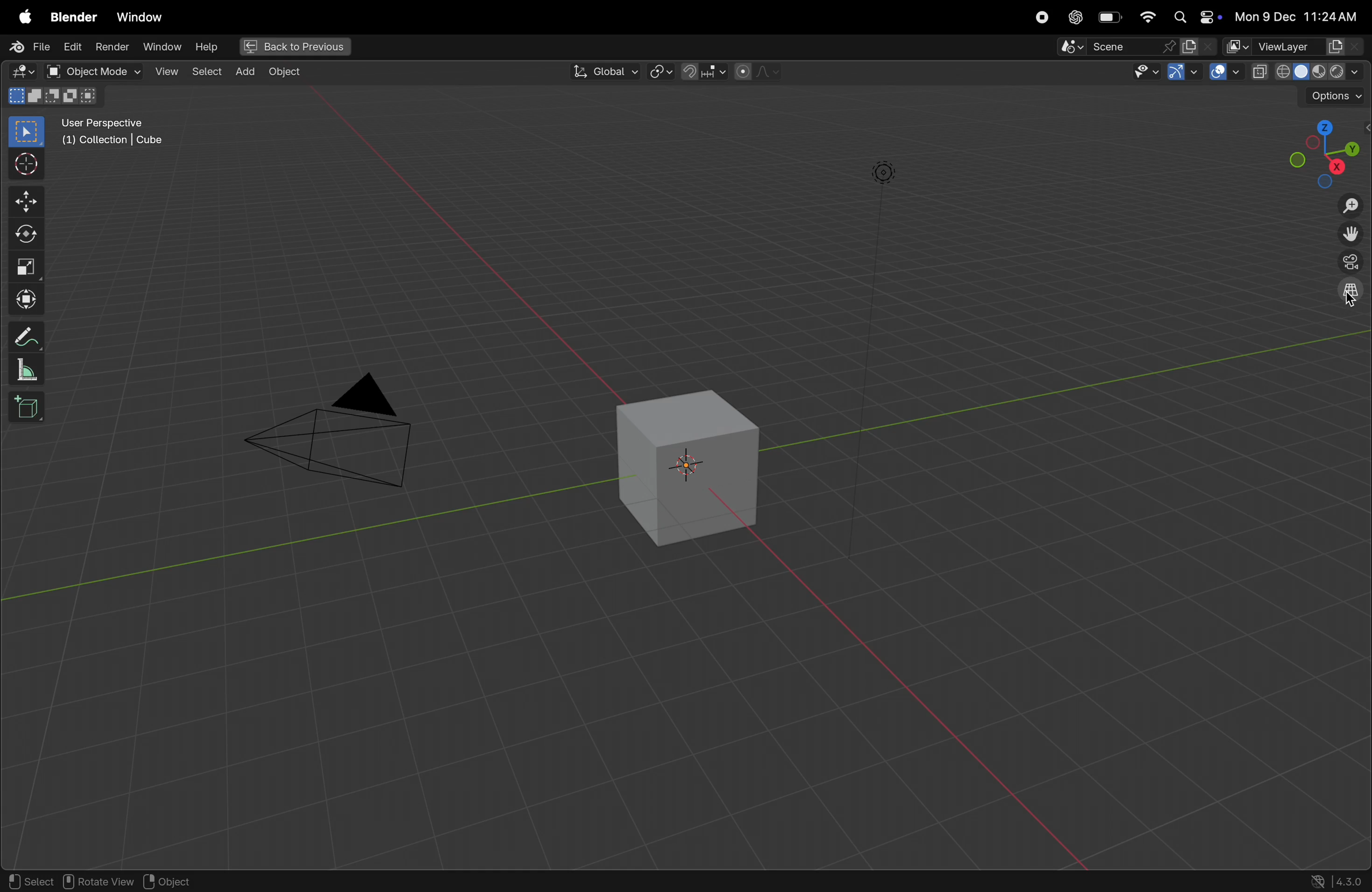 Image resolution: width=1372 pixels, height=892 pixels. Describe the element at coordinates (126, 131) in the screenshot. I see `user perspective` at that location.